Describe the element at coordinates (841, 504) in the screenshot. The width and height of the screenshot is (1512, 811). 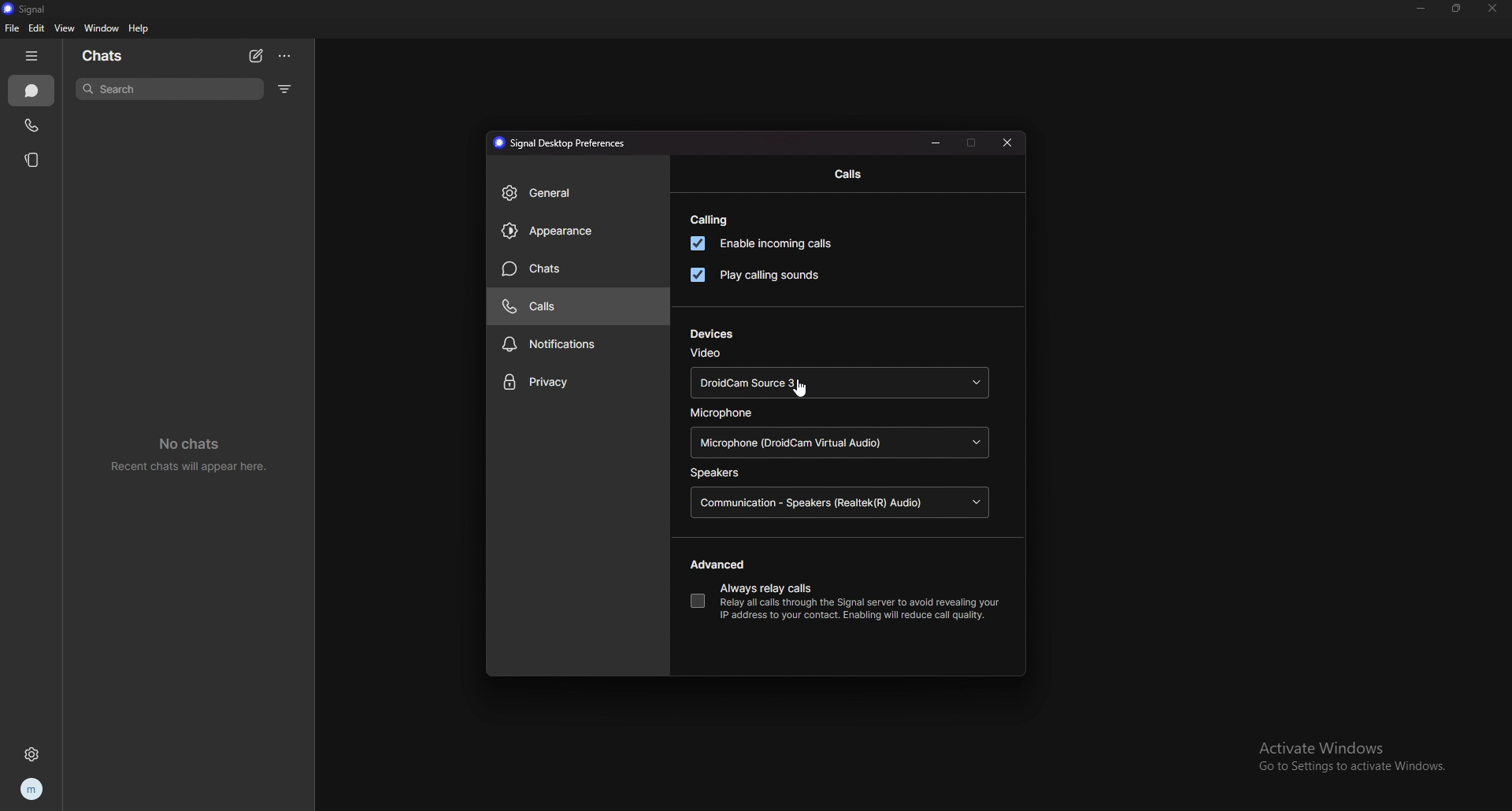
I see `speaker source` at that location.